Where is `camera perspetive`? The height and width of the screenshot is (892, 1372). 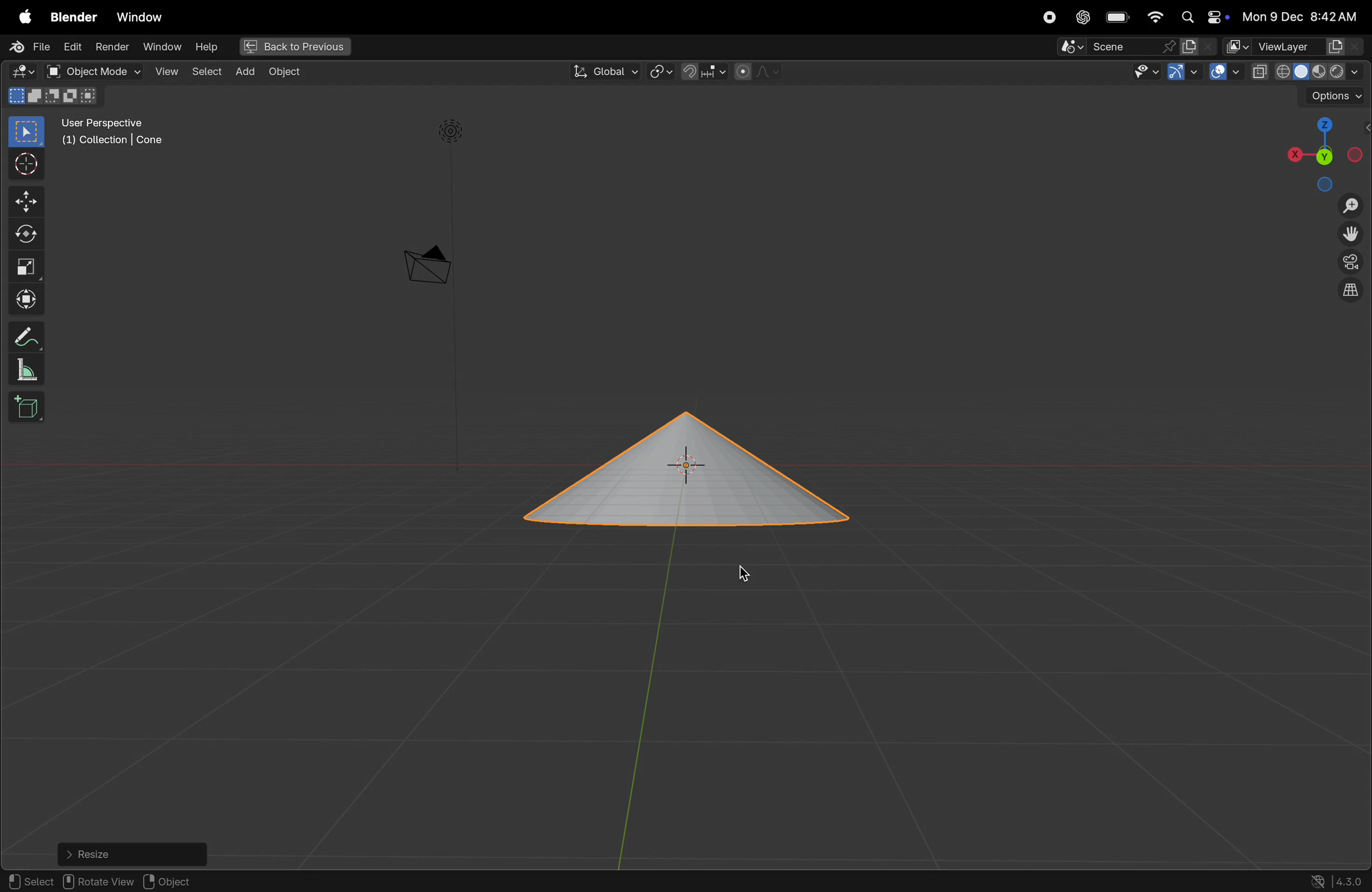
camera perspetive is located at coordinates (427, 265).